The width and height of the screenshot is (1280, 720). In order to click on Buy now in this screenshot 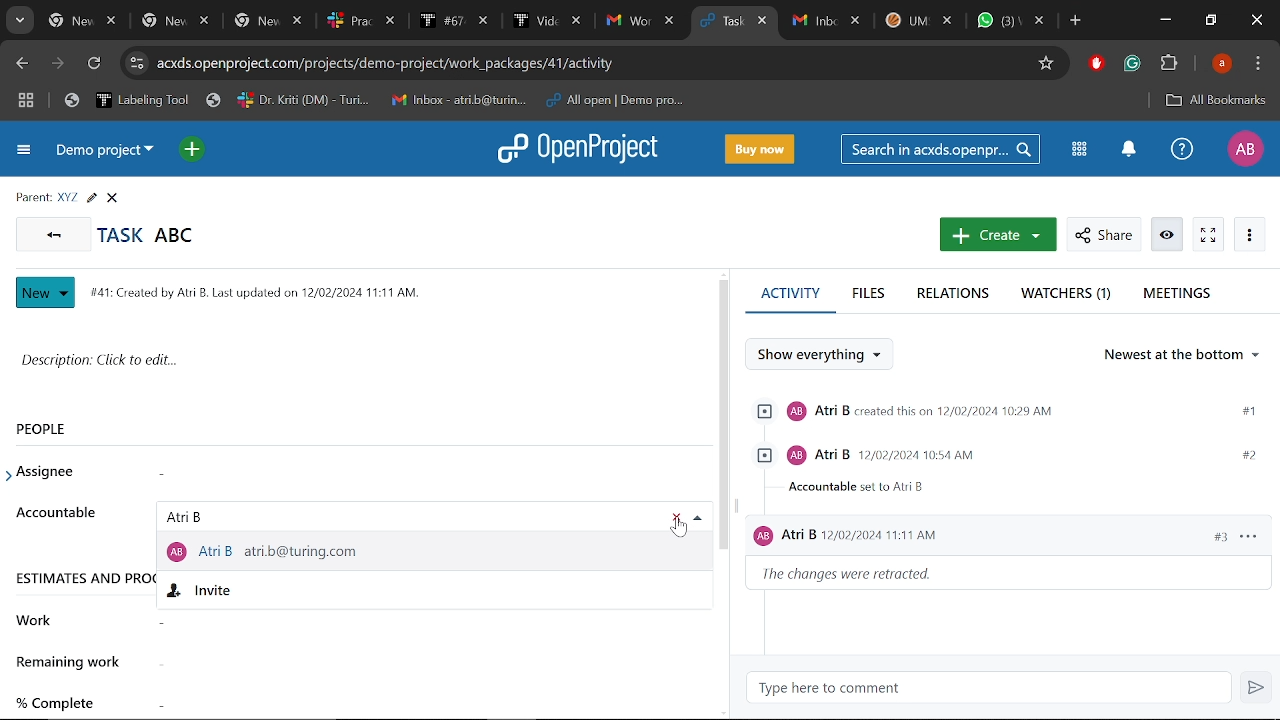, I will do `click(760, 150)`.